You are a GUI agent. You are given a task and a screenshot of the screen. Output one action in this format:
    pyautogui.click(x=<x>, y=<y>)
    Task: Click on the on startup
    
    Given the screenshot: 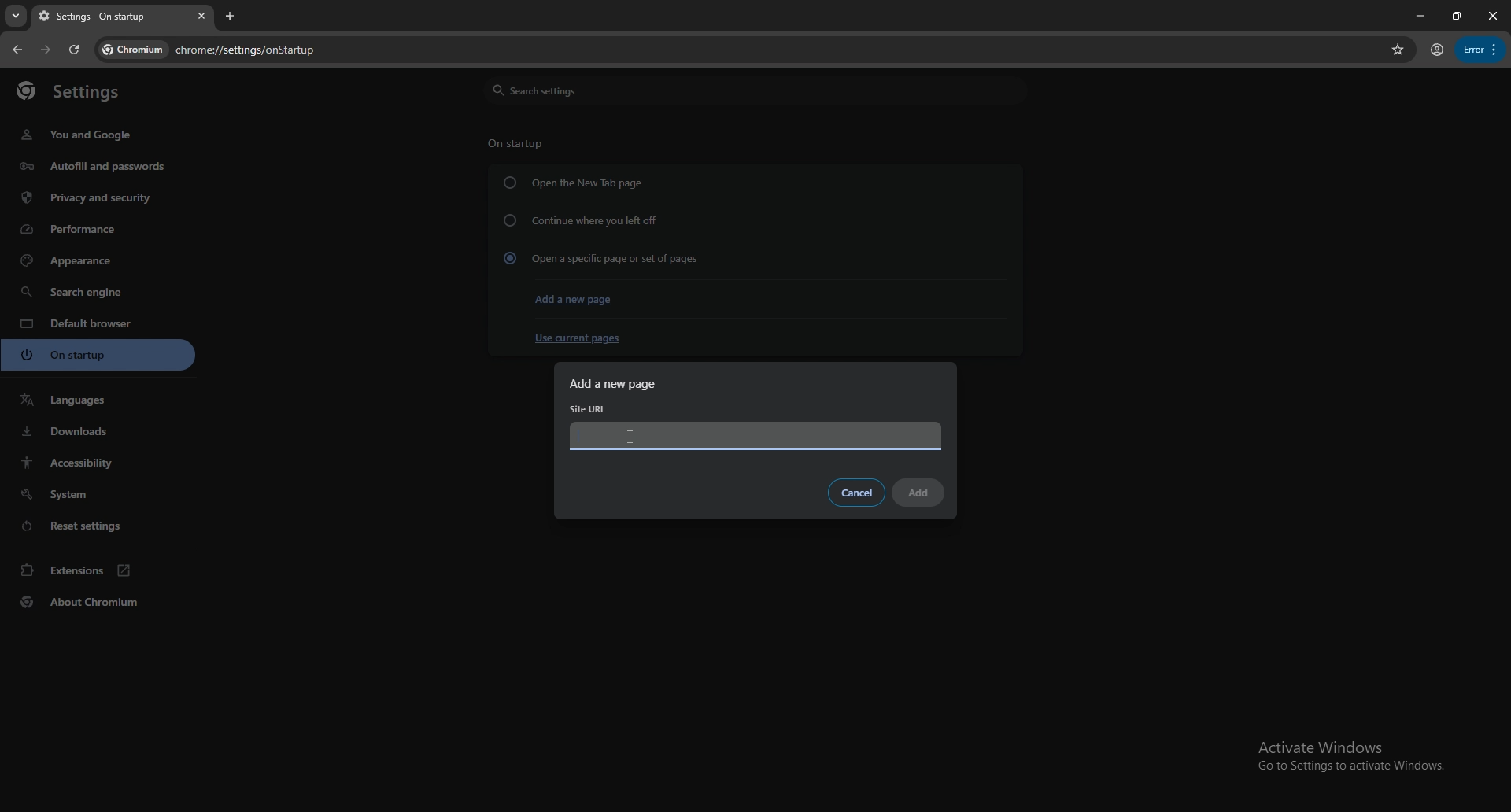 What is the action you would take?
    pyautogui.click(x=516, y=142)
    